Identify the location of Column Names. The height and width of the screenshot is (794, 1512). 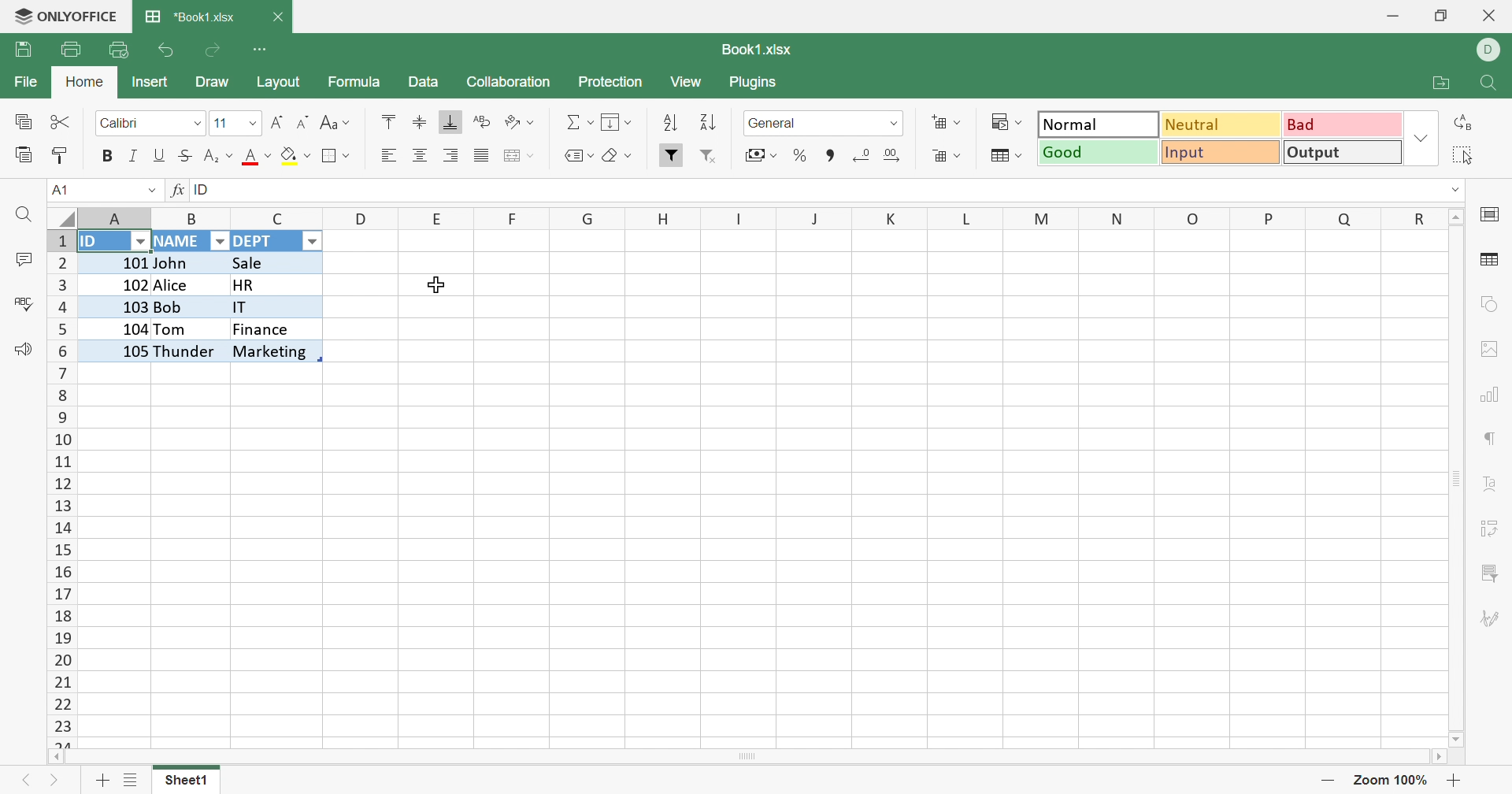
(759, 217).